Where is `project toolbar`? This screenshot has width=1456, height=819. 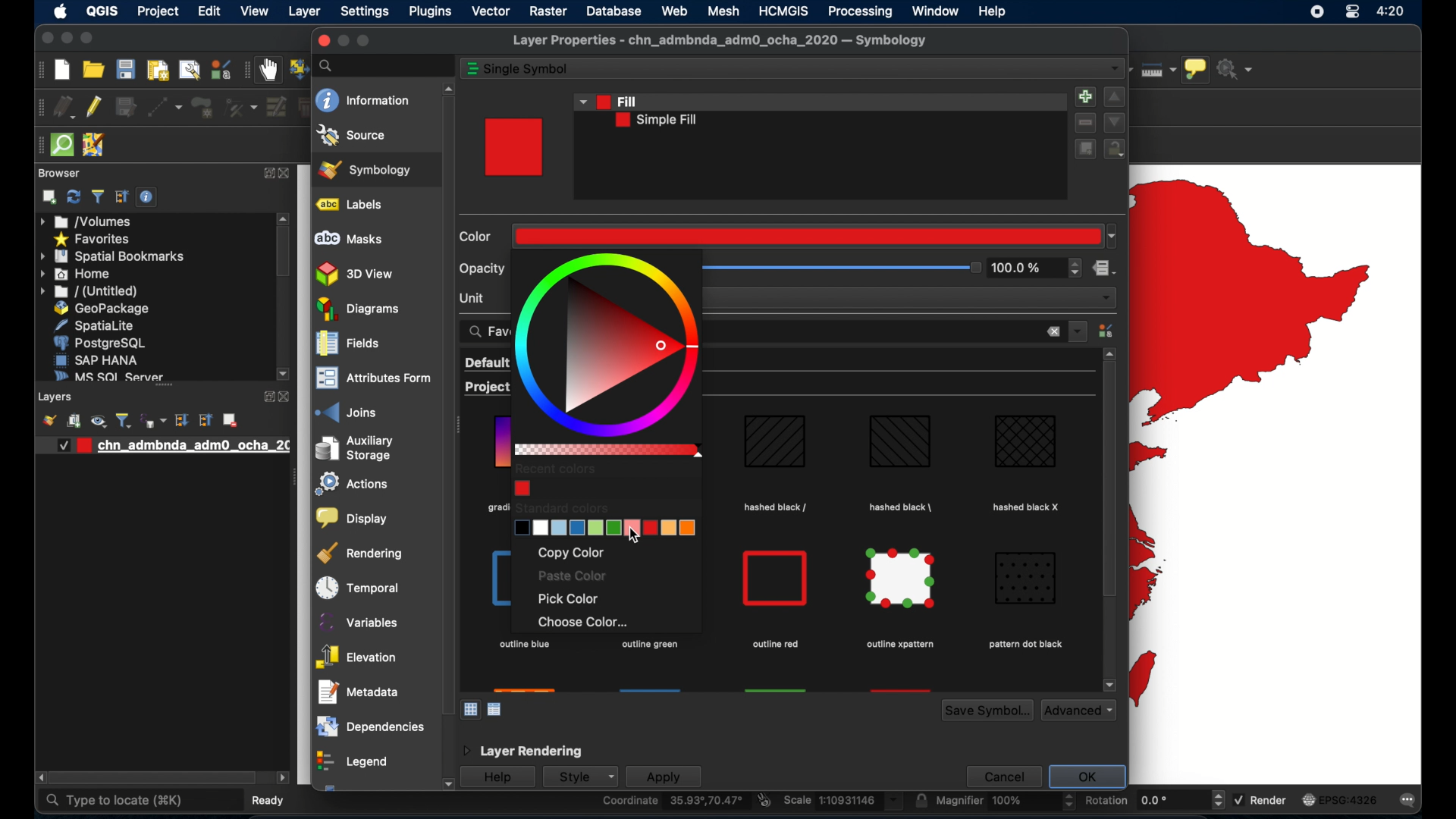 project toolbar is located at coordinates (39, 70).